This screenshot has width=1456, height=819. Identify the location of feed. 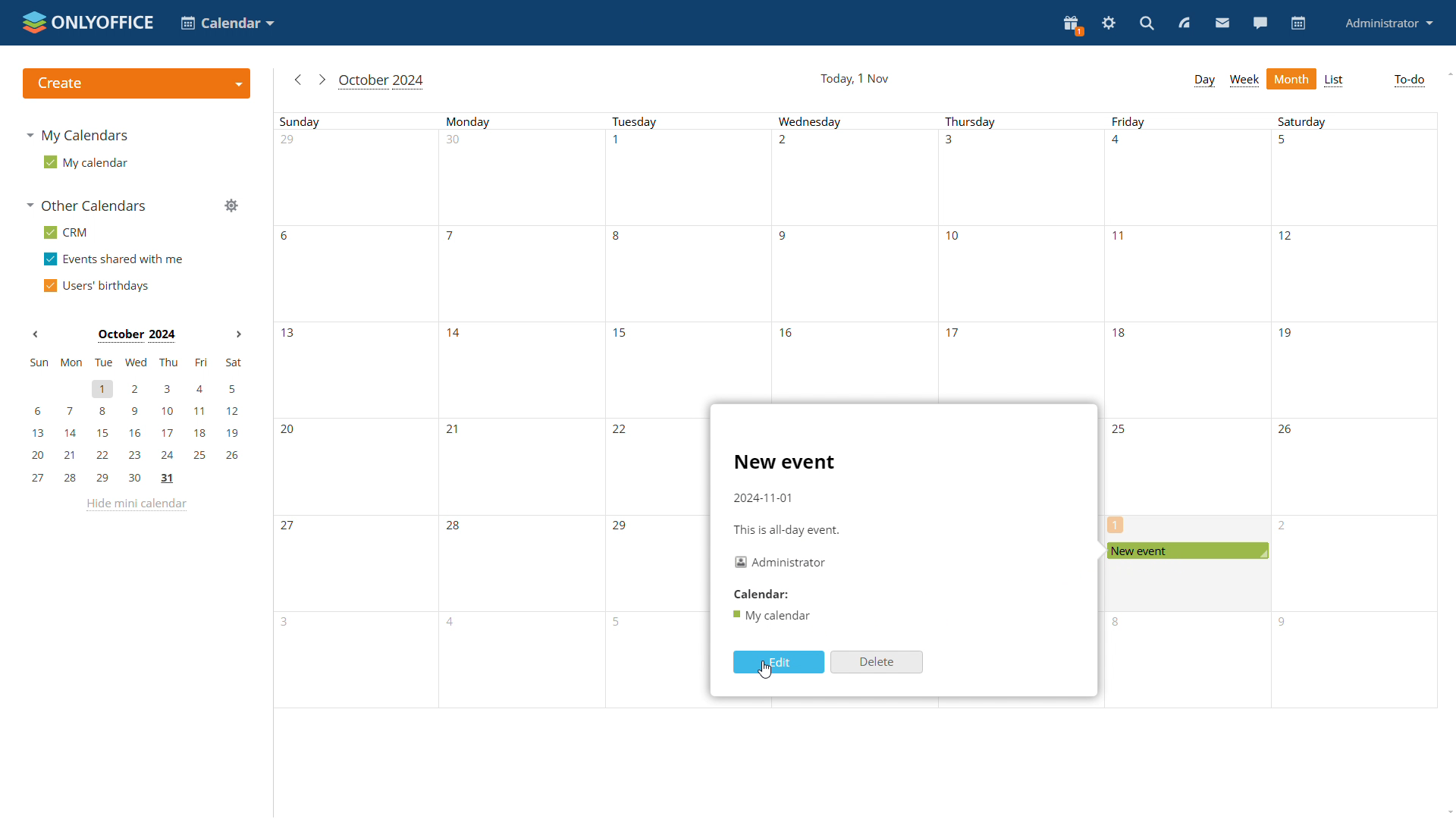
(1185, 24).